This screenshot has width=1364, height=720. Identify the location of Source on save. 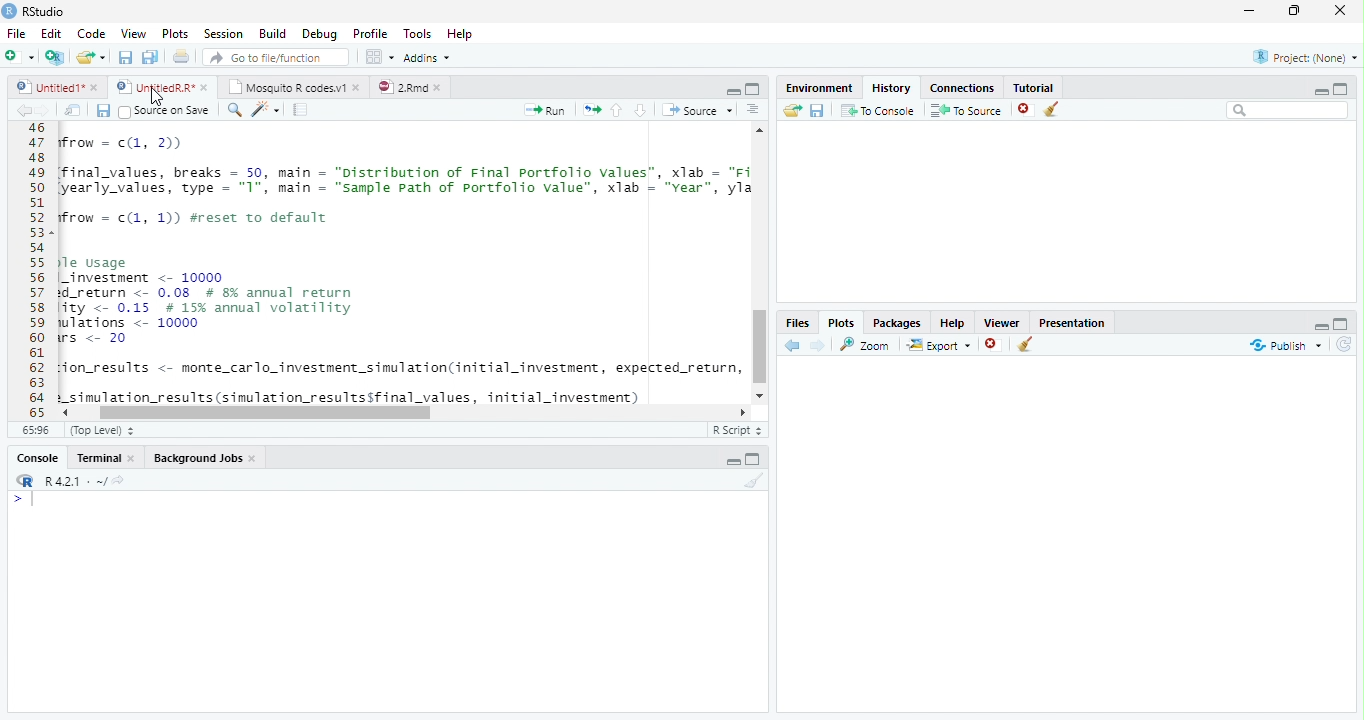
(166, 111).